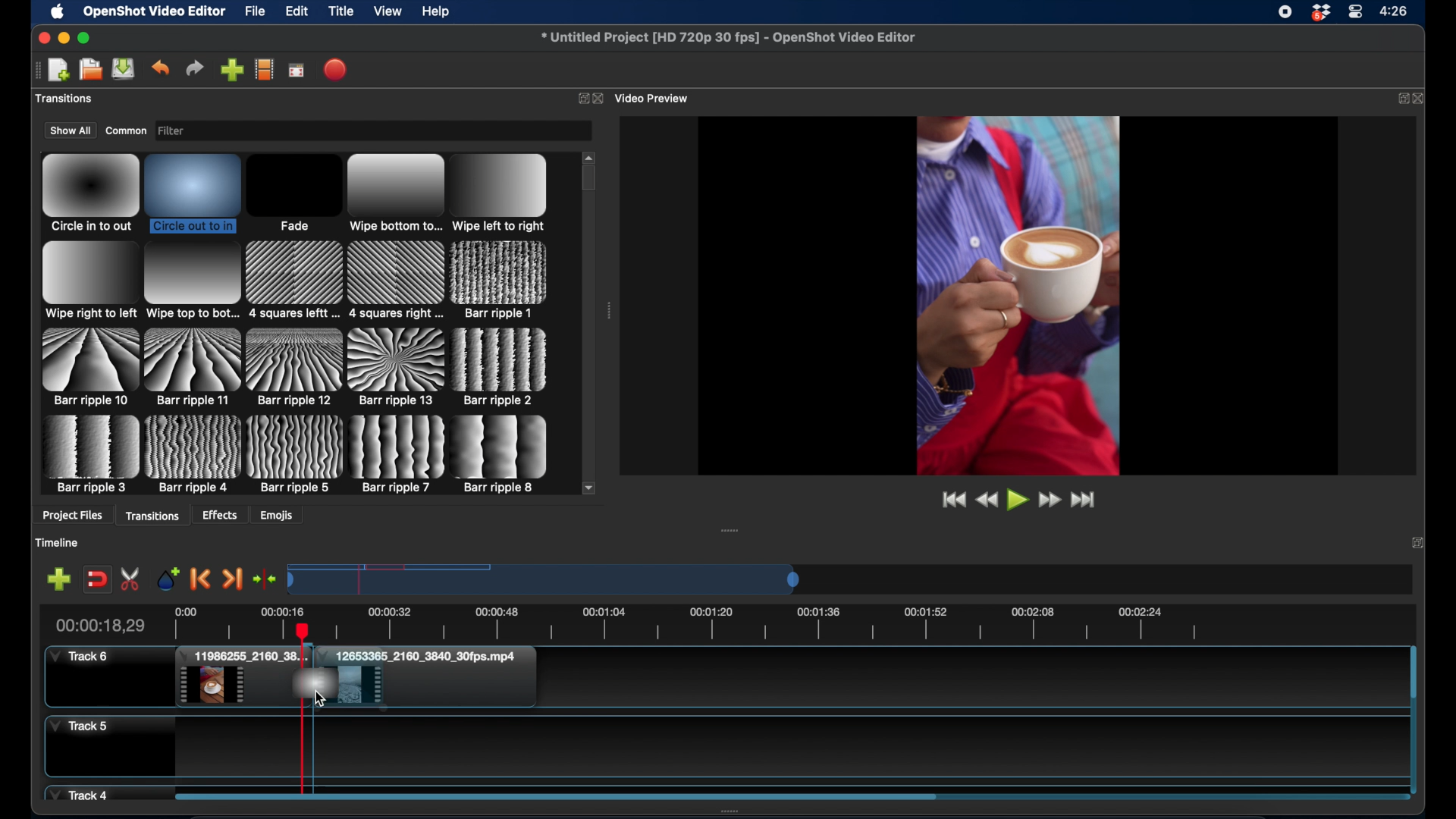 Image resolution: width=1456 pixels, height=819 pixels. I want to click on common, so click(126, 130).